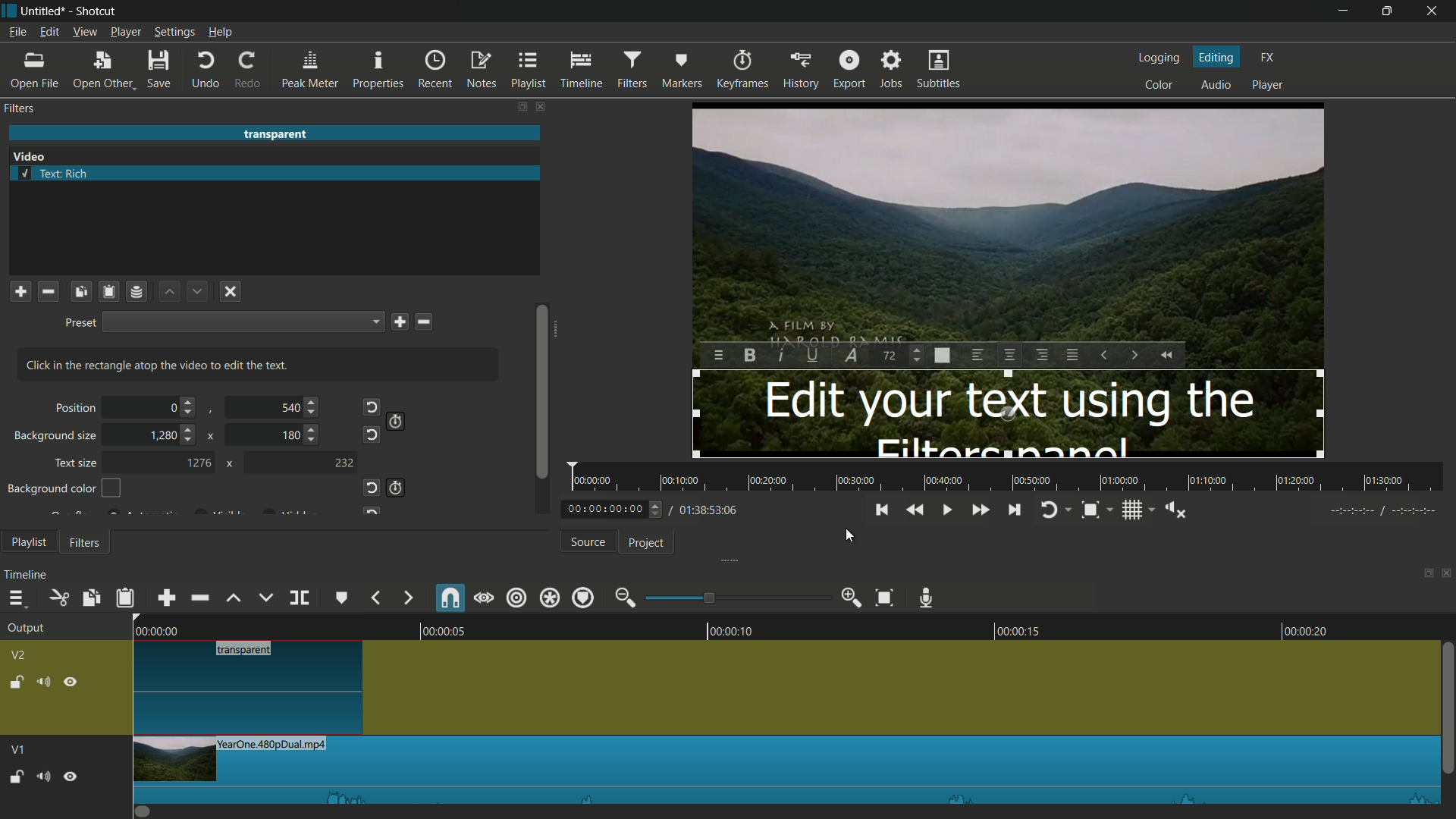 Image resolution: width=1456 pixels, height=819 pixels. Describe the element at coordinates (220, 32) in the screenshot. I see `help menu` at that location.